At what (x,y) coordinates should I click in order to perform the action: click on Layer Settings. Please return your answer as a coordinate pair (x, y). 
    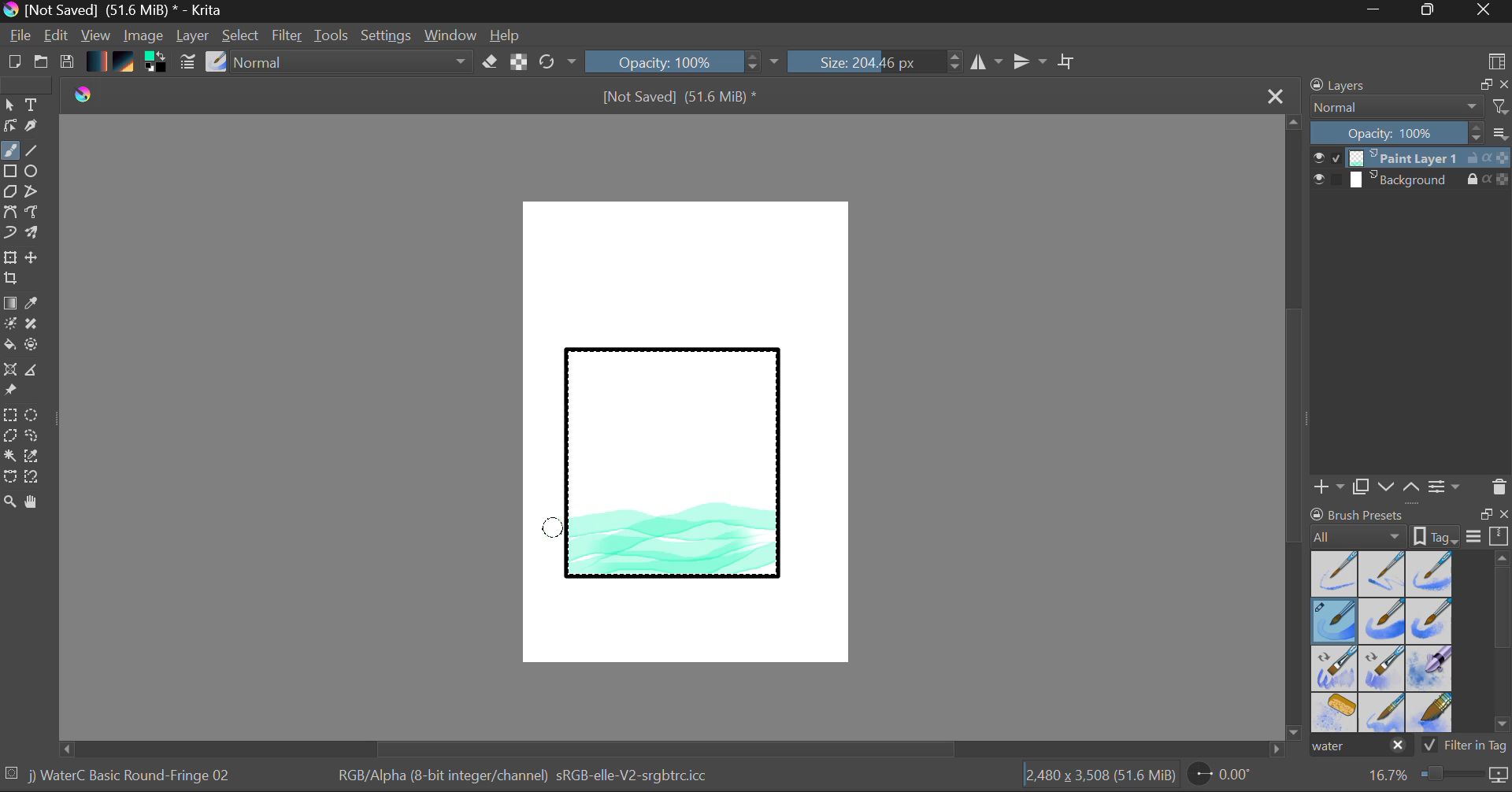
    Looking at the image, I should click on (1445, 486).